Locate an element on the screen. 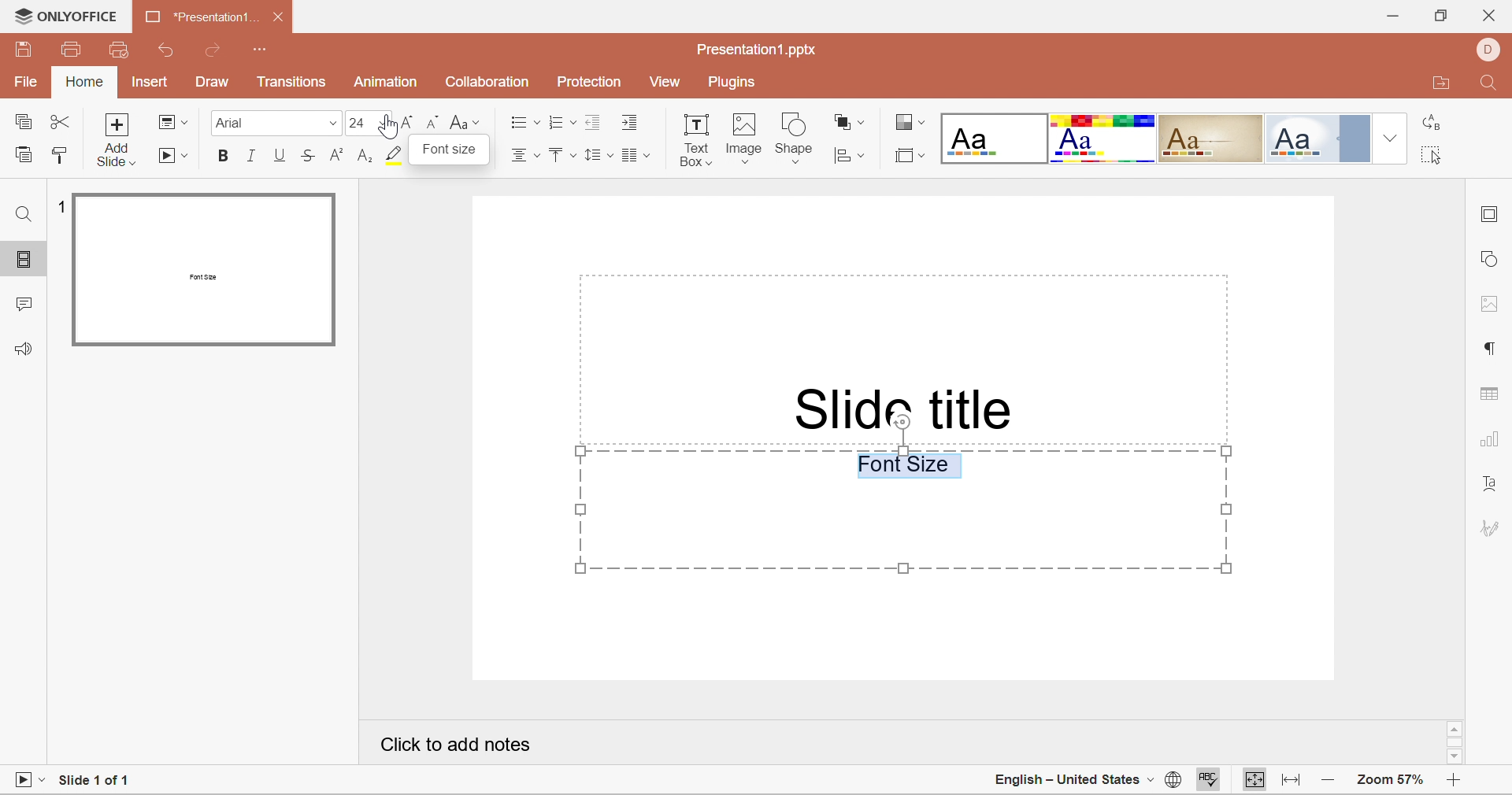  Transitions is located at coordinates (292, 85).